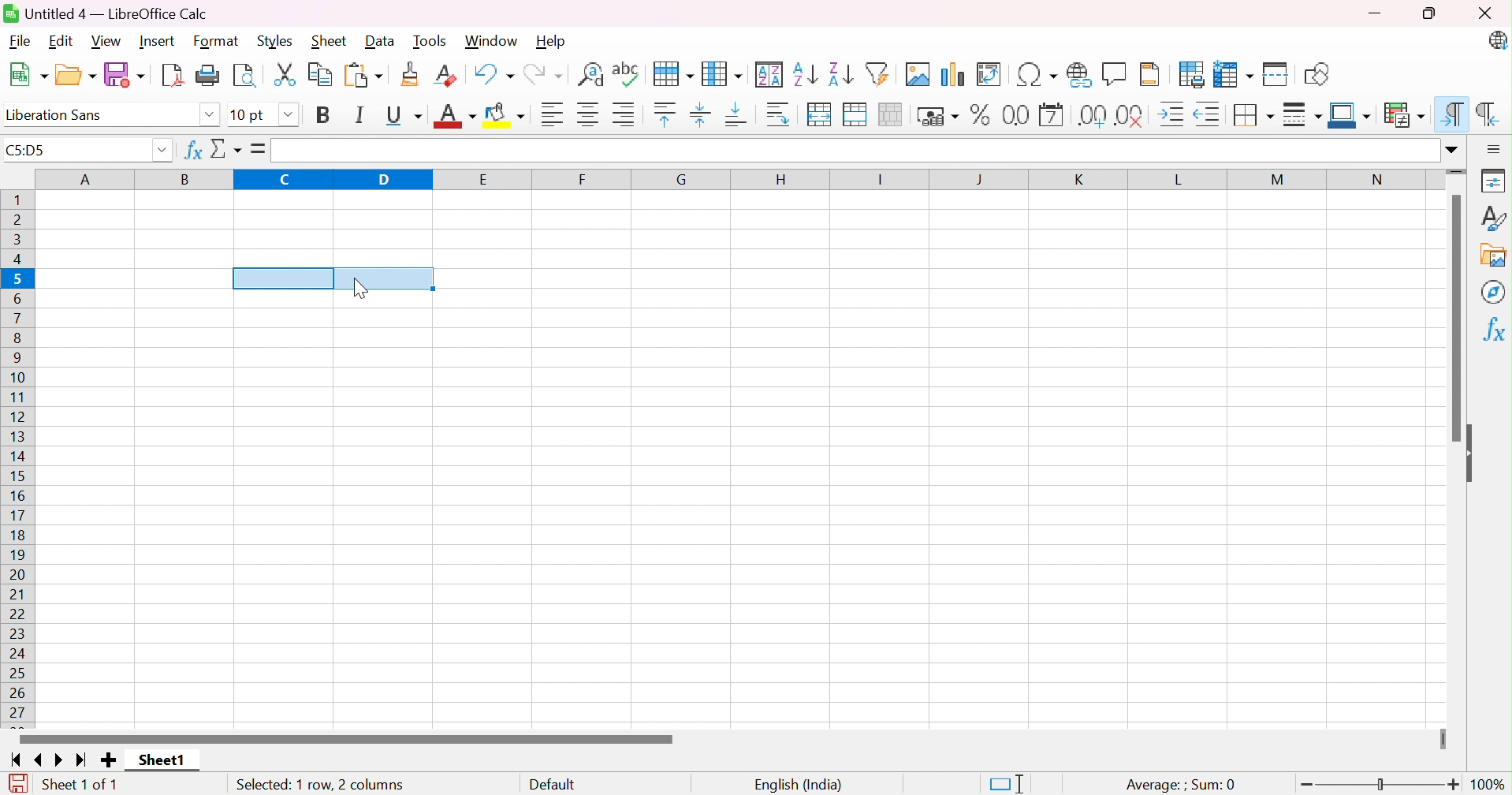 The width and height of the screenshot is (1512, 795). I want to click on Merge and center or unmerge cells depending on the current toggle status., so click(821, 114).